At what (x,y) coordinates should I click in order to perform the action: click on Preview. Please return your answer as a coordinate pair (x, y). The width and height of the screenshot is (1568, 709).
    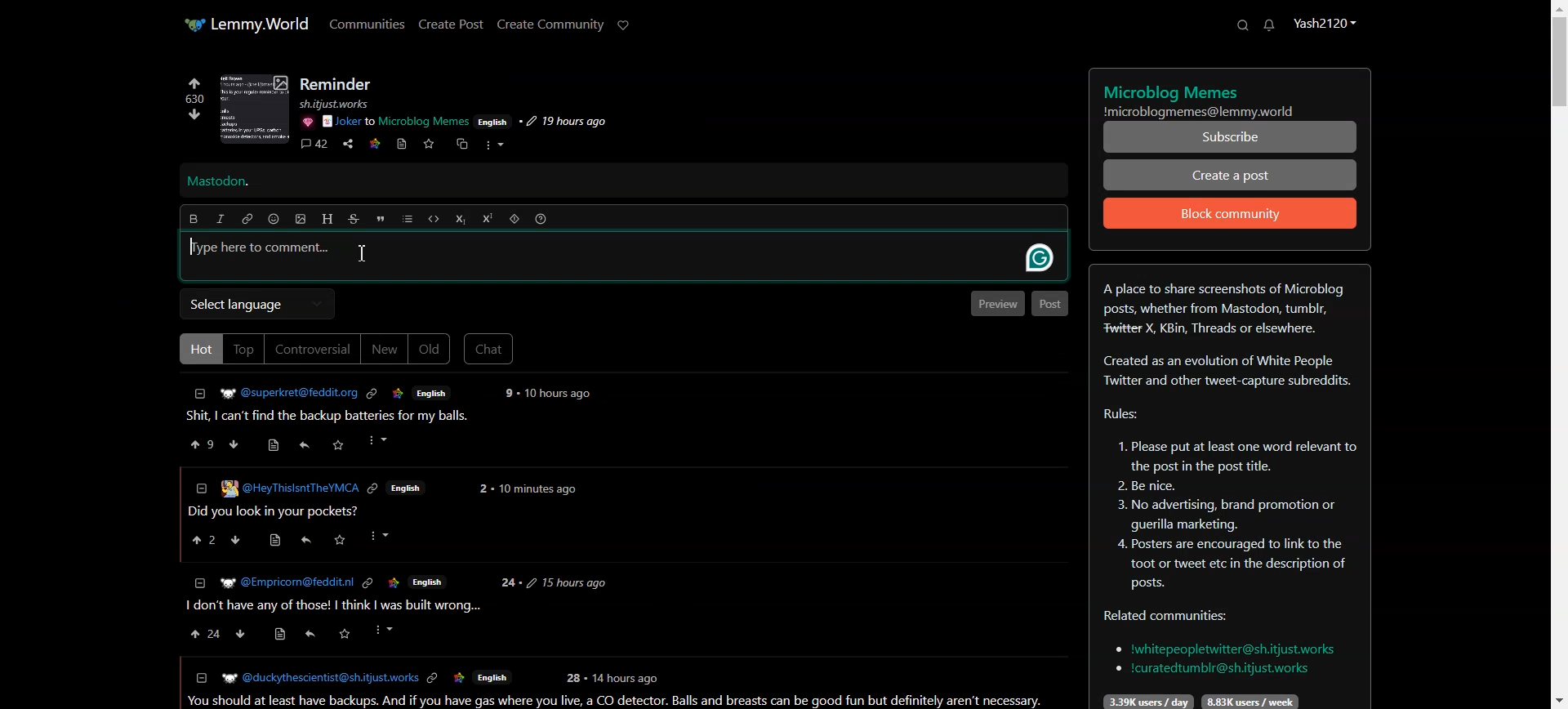
    Looking at the image, I should click on (996, 303).